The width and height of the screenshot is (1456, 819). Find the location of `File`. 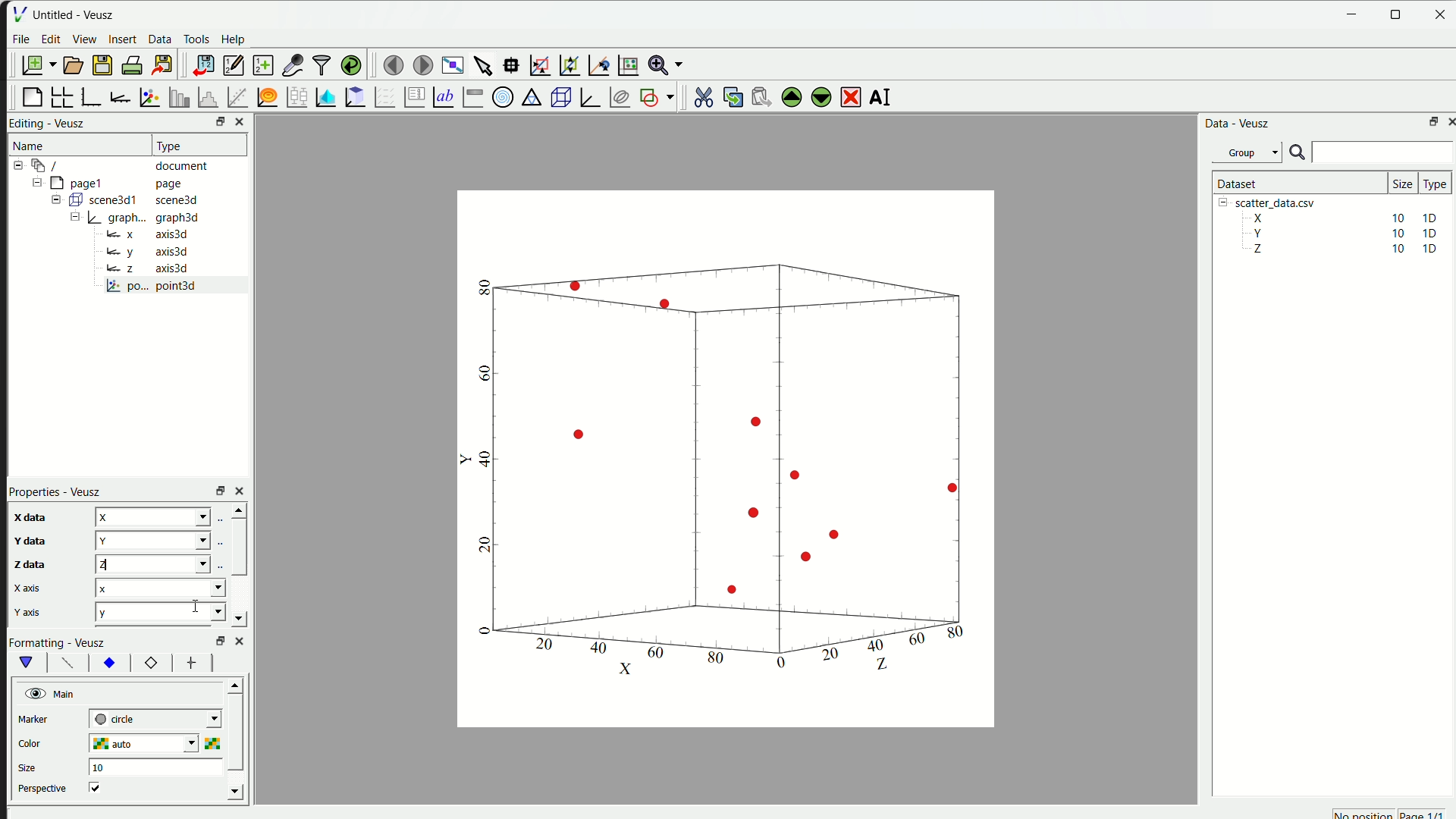

File is located at coordinates (22, 40).